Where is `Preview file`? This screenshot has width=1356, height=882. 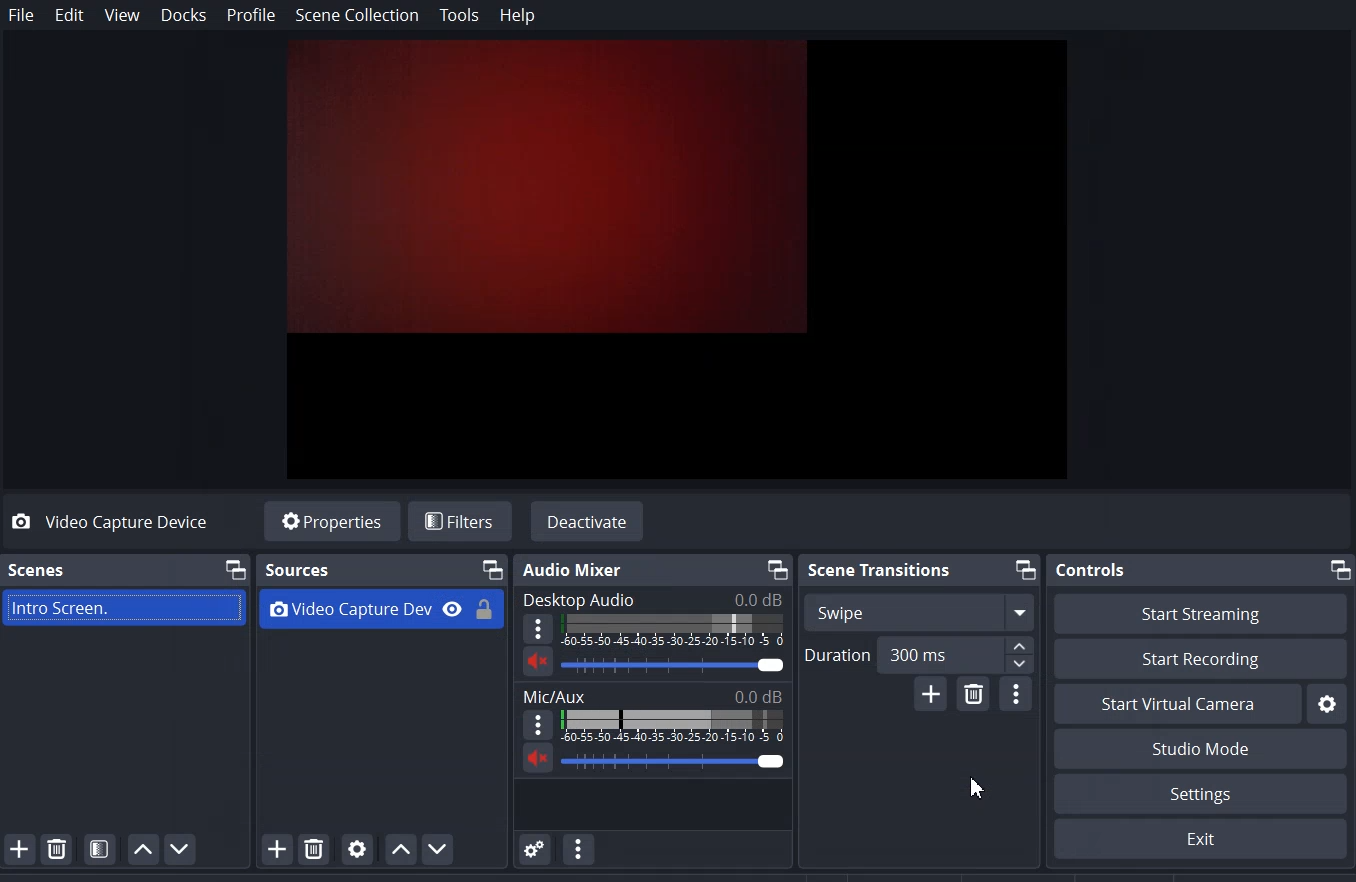
Preview file is located at coordinates (682, 256).